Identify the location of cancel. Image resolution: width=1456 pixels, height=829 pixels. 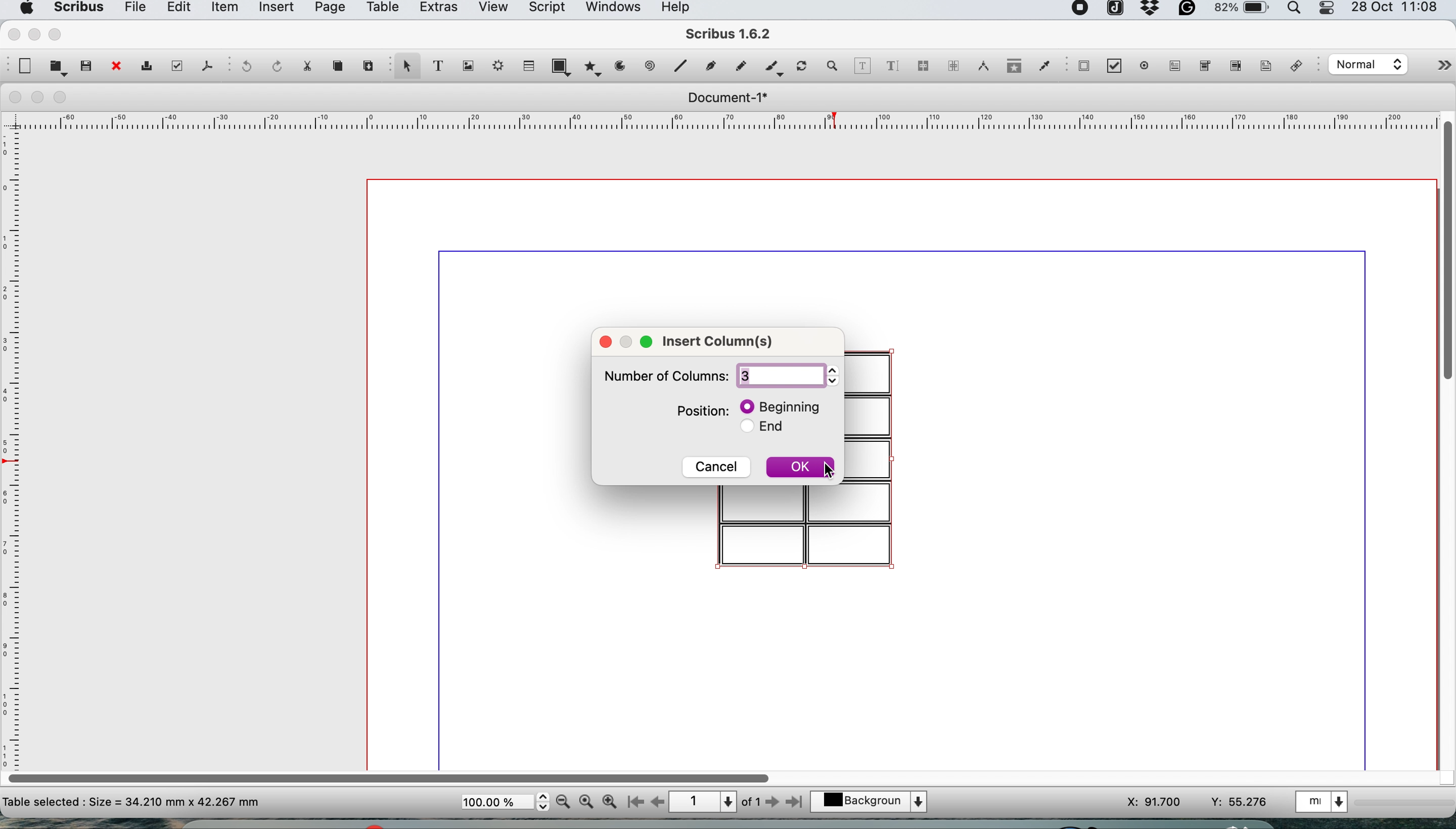
(716, 466).